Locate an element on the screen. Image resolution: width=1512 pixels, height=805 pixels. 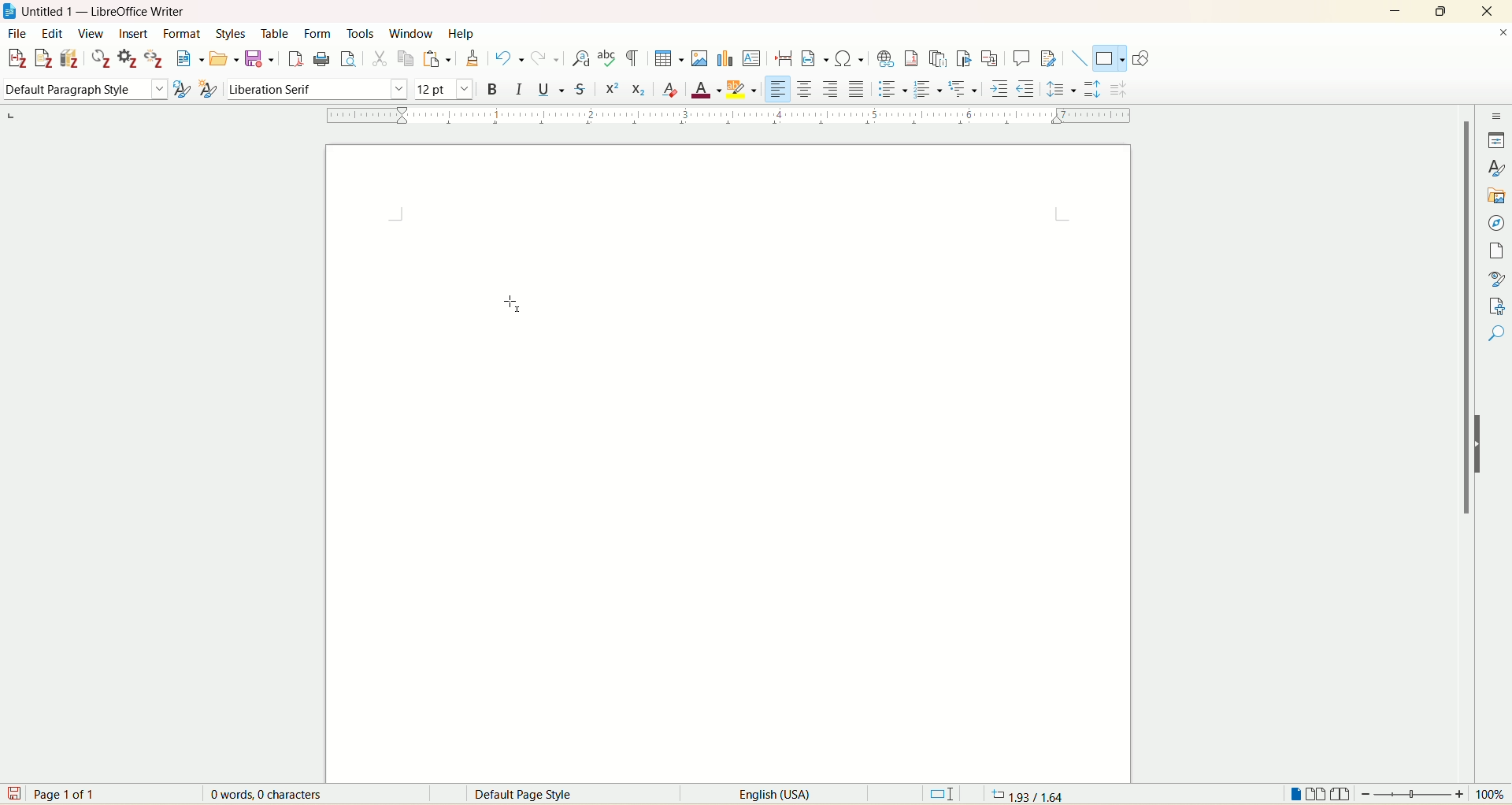
page 1 of 1 is located at coordinates (69, 793).